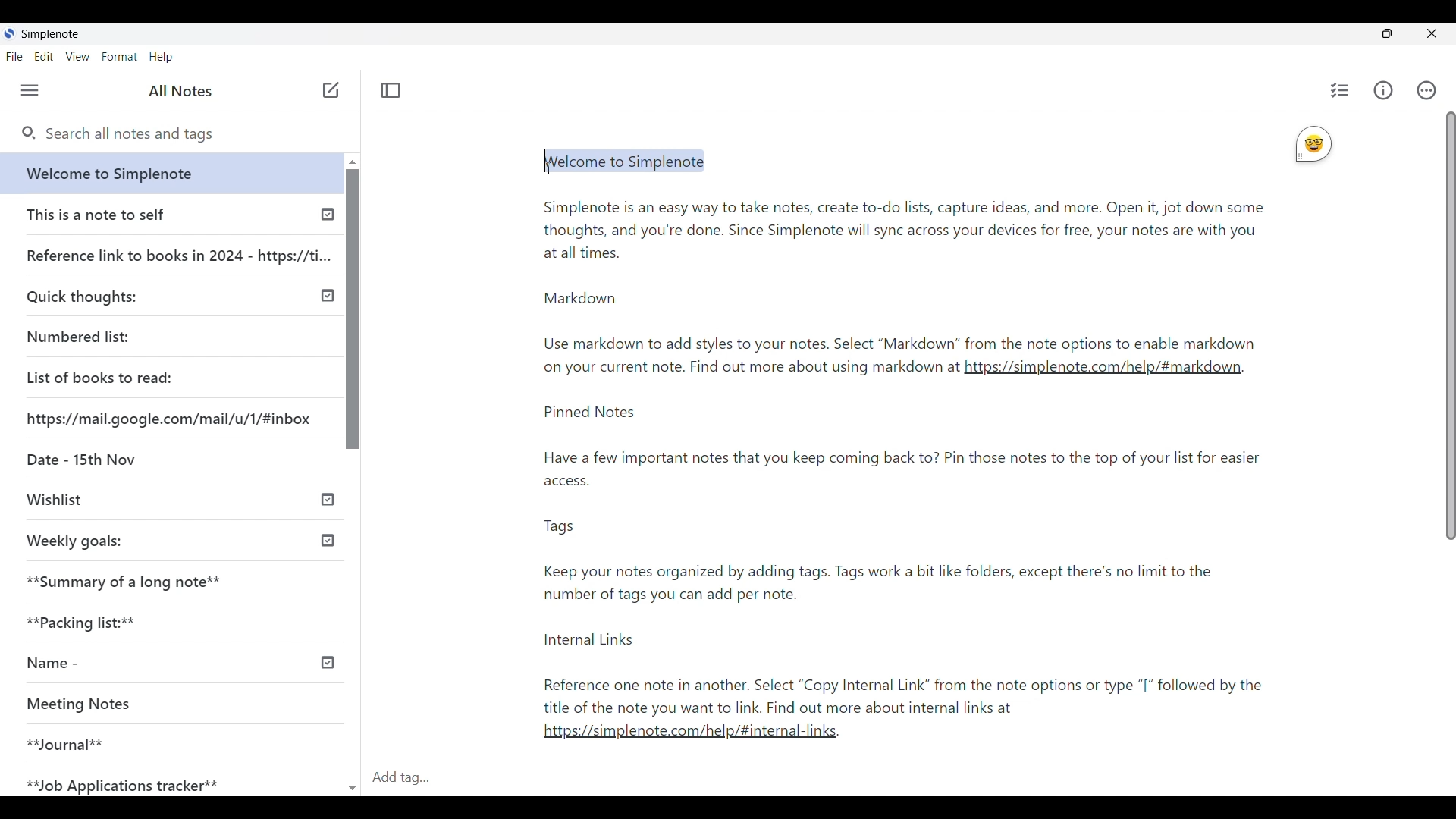 This screenshot has width=1456, height=819. Describe the element at coordinates (908, 778) in the screenshot. I see `Click to type in tags` at that location.